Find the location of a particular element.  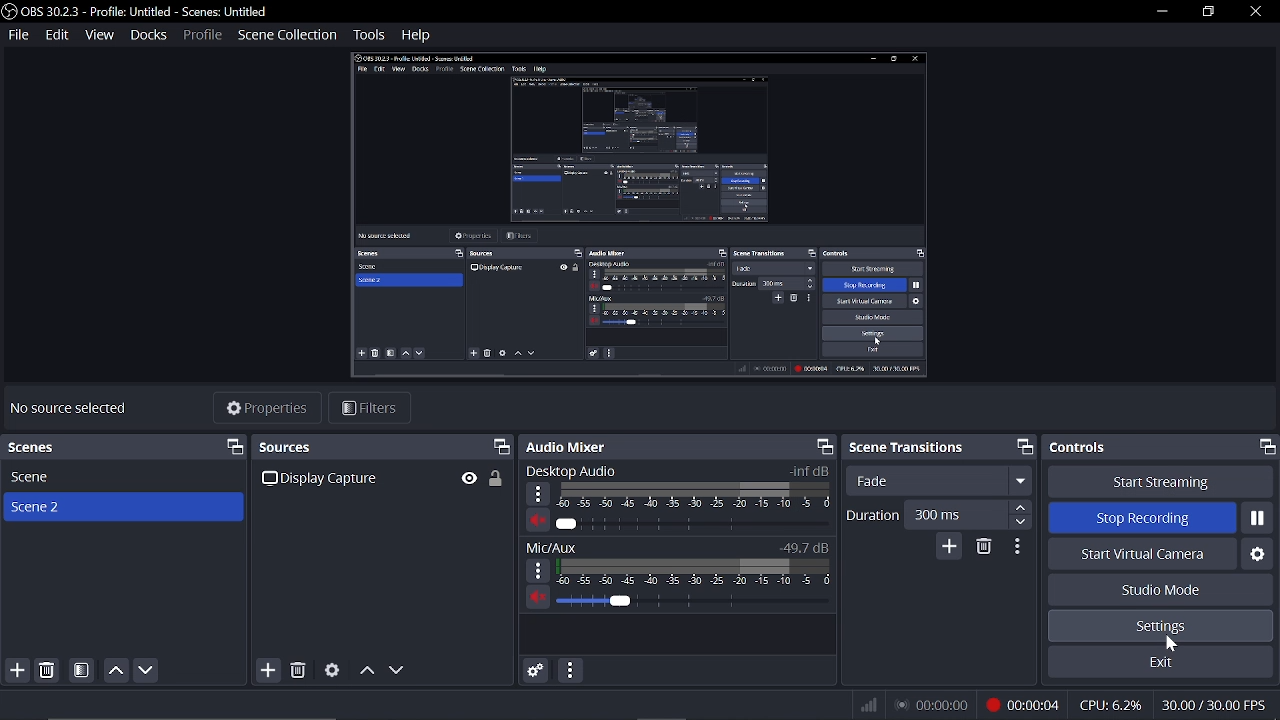

toggle scenes is located at coordinates (236, 447).